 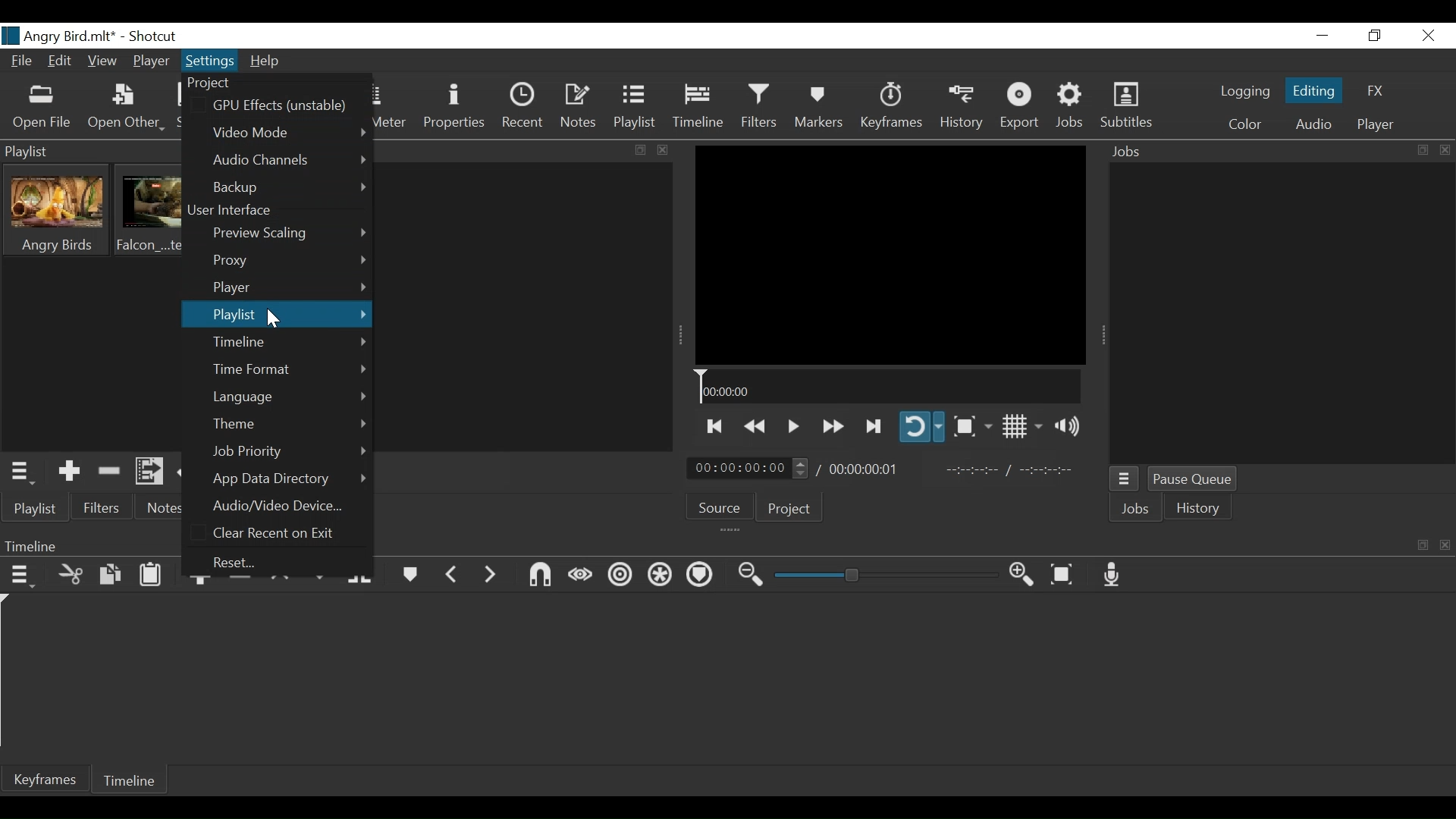 I want to click on File, so click(x=22, y=61).